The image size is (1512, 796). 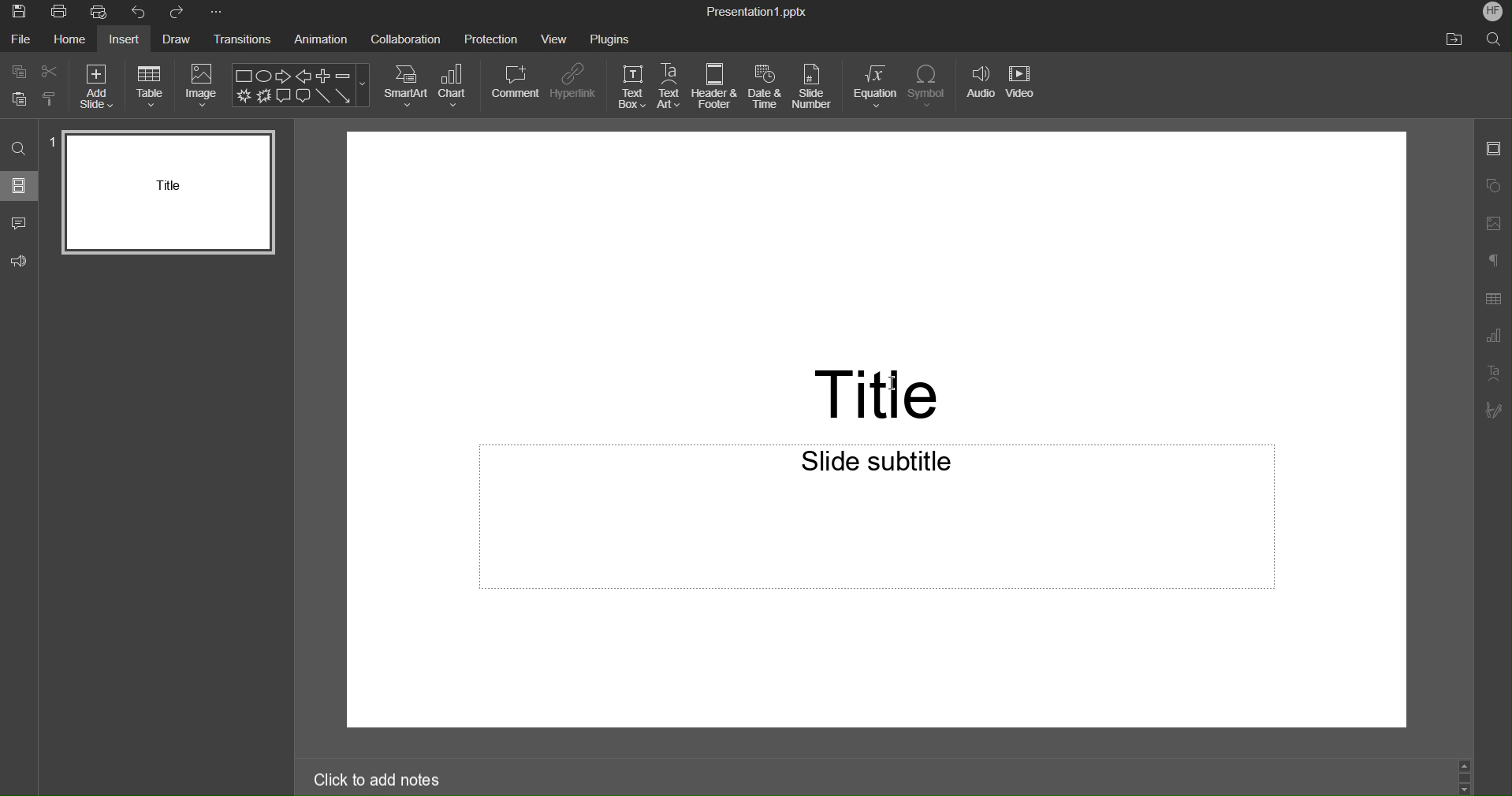 I want to click on Collaboration, so click(x=409, y=42).